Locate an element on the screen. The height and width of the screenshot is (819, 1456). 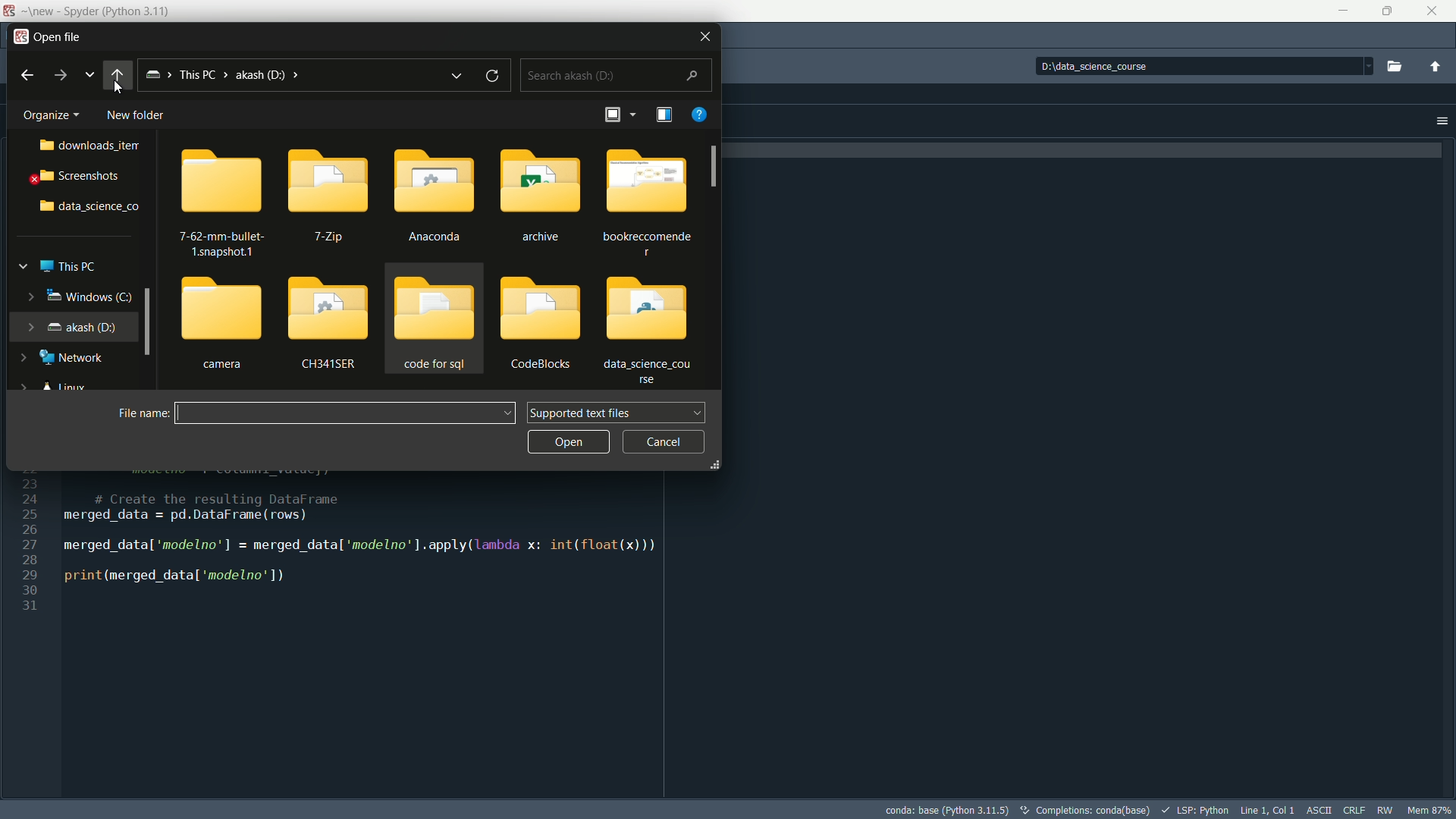
preview pane is located at coordinates (665, 114).